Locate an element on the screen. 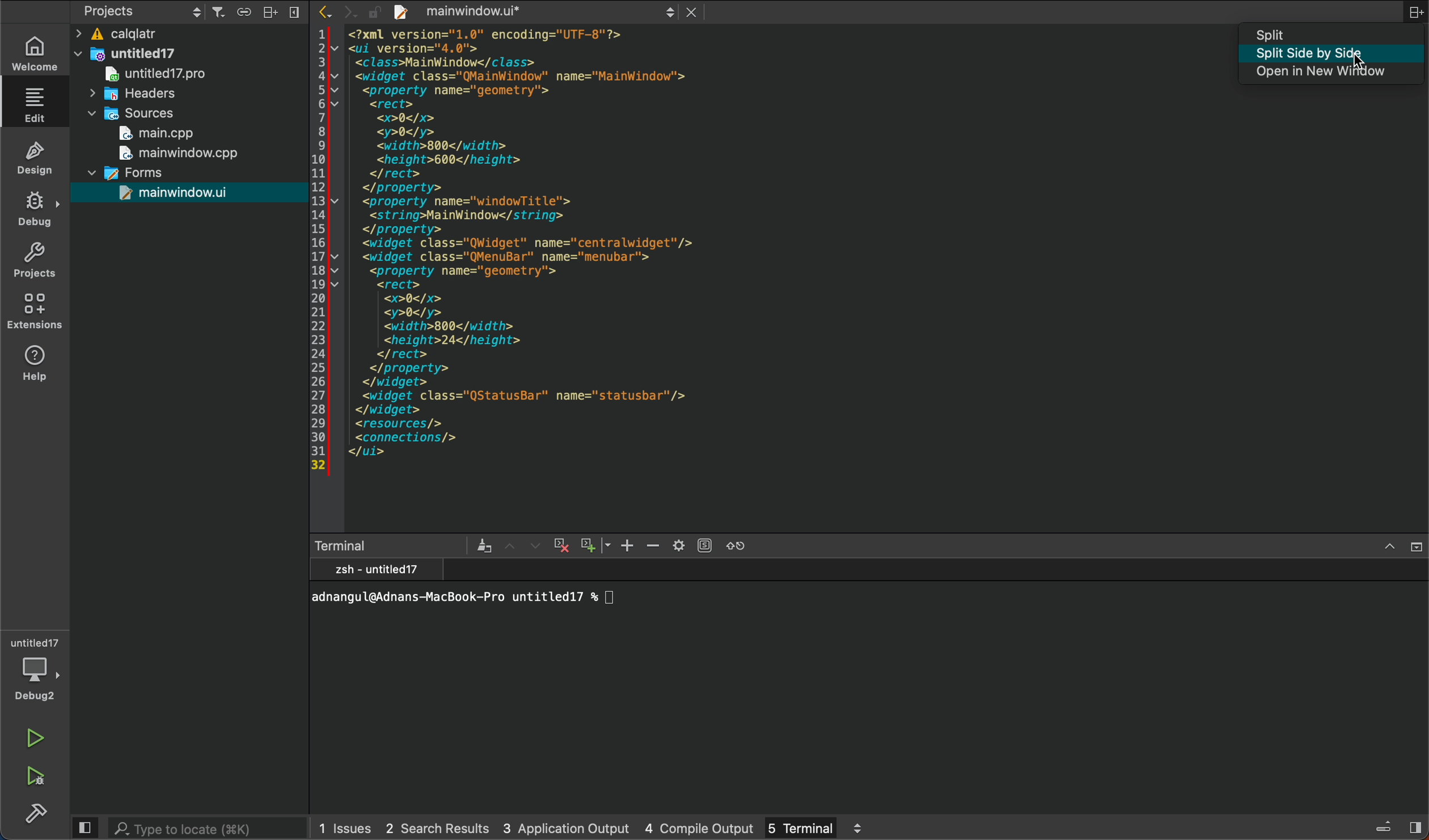  run and debug is located at coordinates (40, 773).